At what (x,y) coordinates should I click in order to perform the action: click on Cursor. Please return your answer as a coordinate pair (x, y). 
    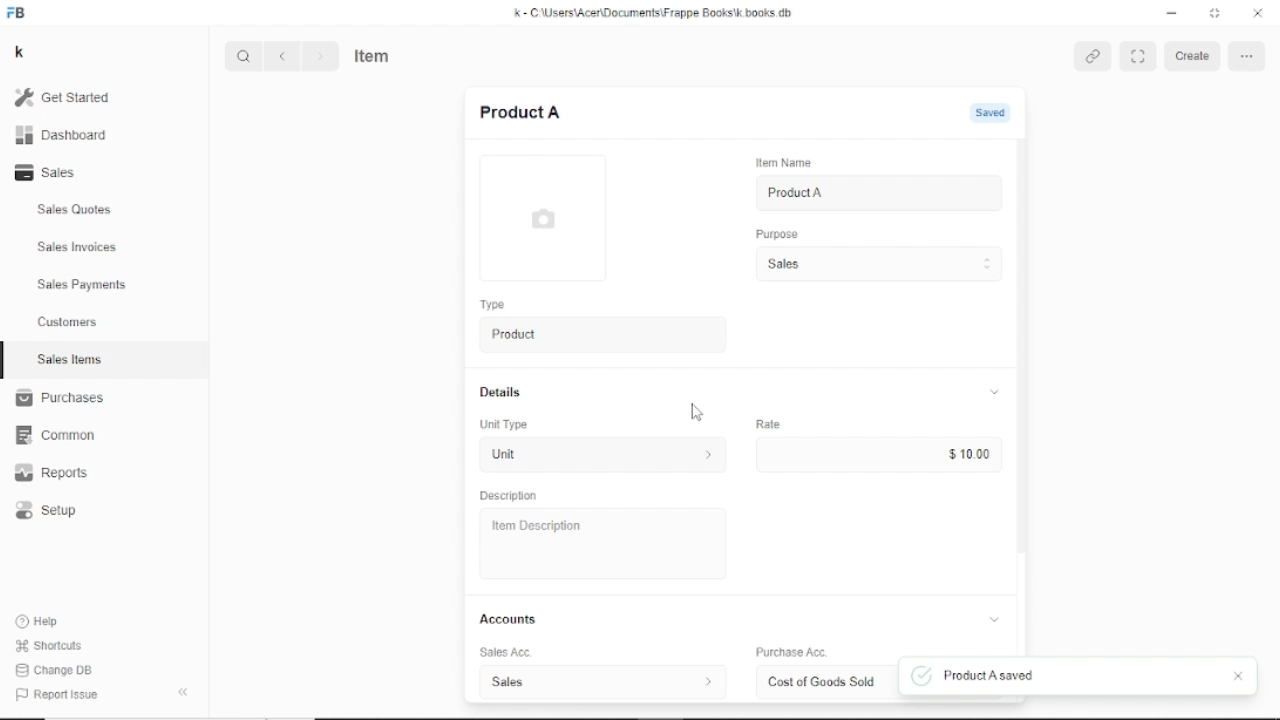
    Looking at the image, I should click on (696, 413).